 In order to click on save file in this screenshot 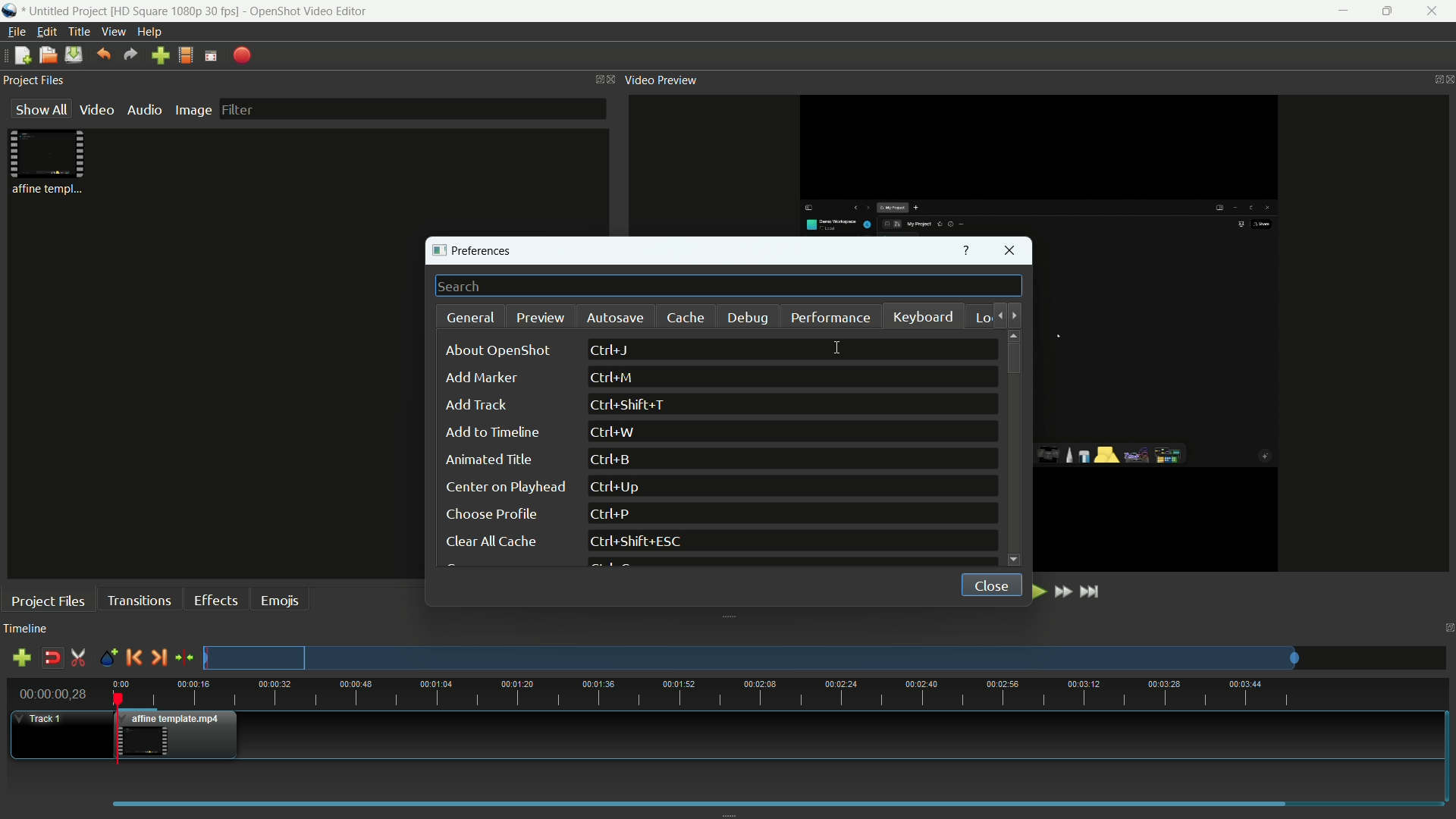, I will do `click(74, 55)`.